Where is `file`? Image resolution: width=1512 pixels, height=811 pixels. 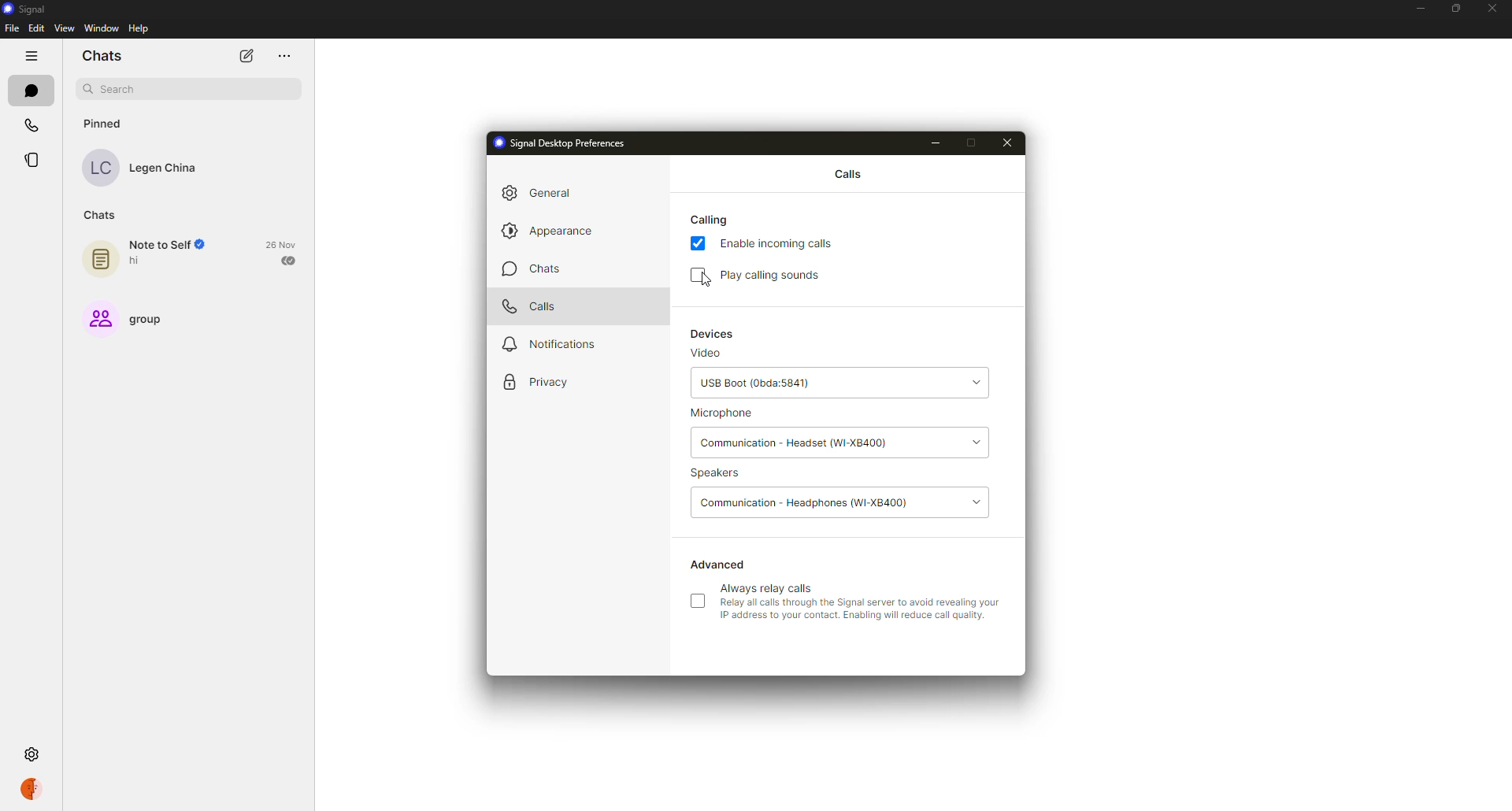
file is located at coordinates (11, 28).